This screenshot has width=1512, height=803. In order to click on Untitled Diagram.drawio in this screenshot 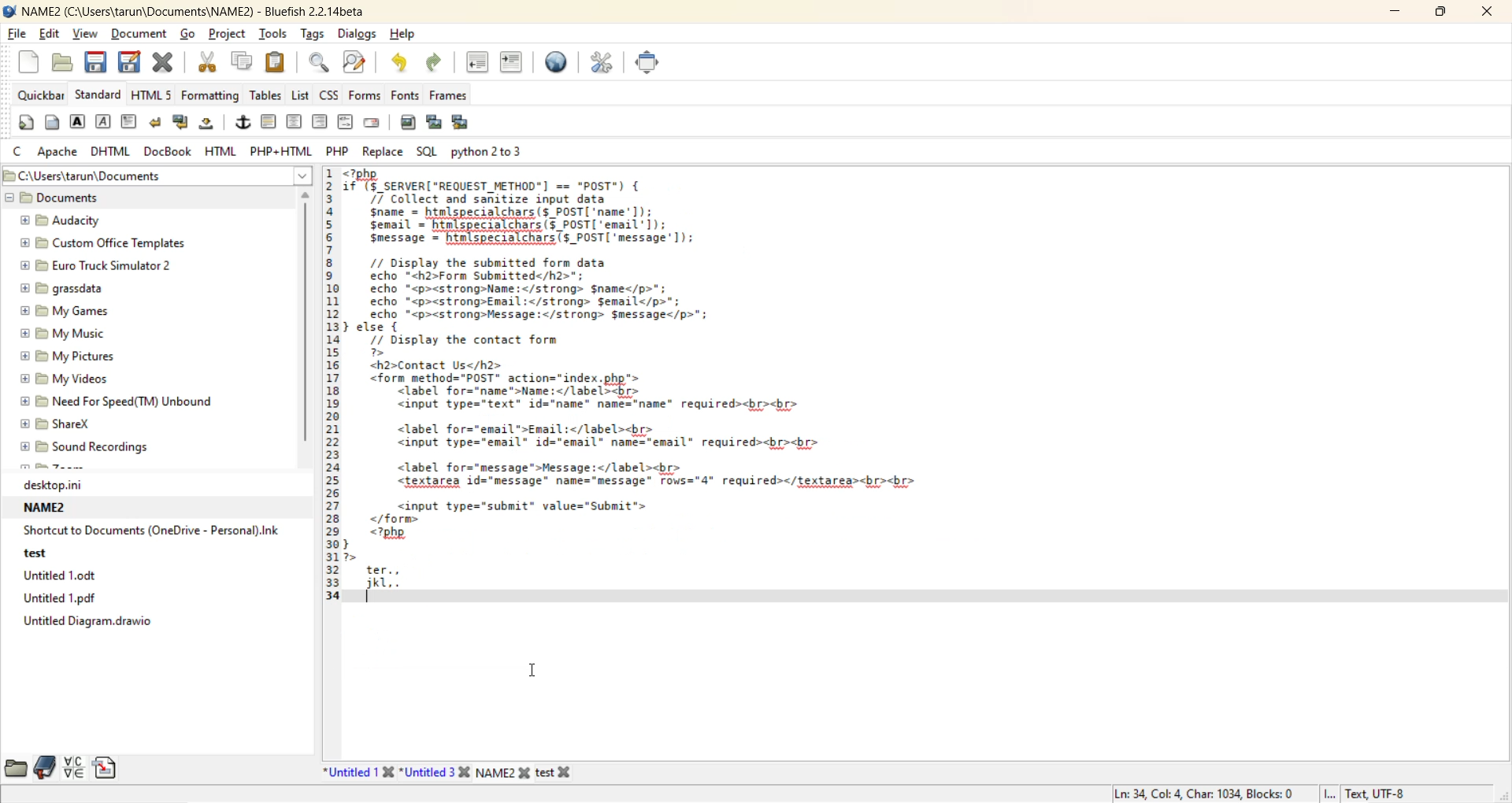, I will do `click(98, 626)`.